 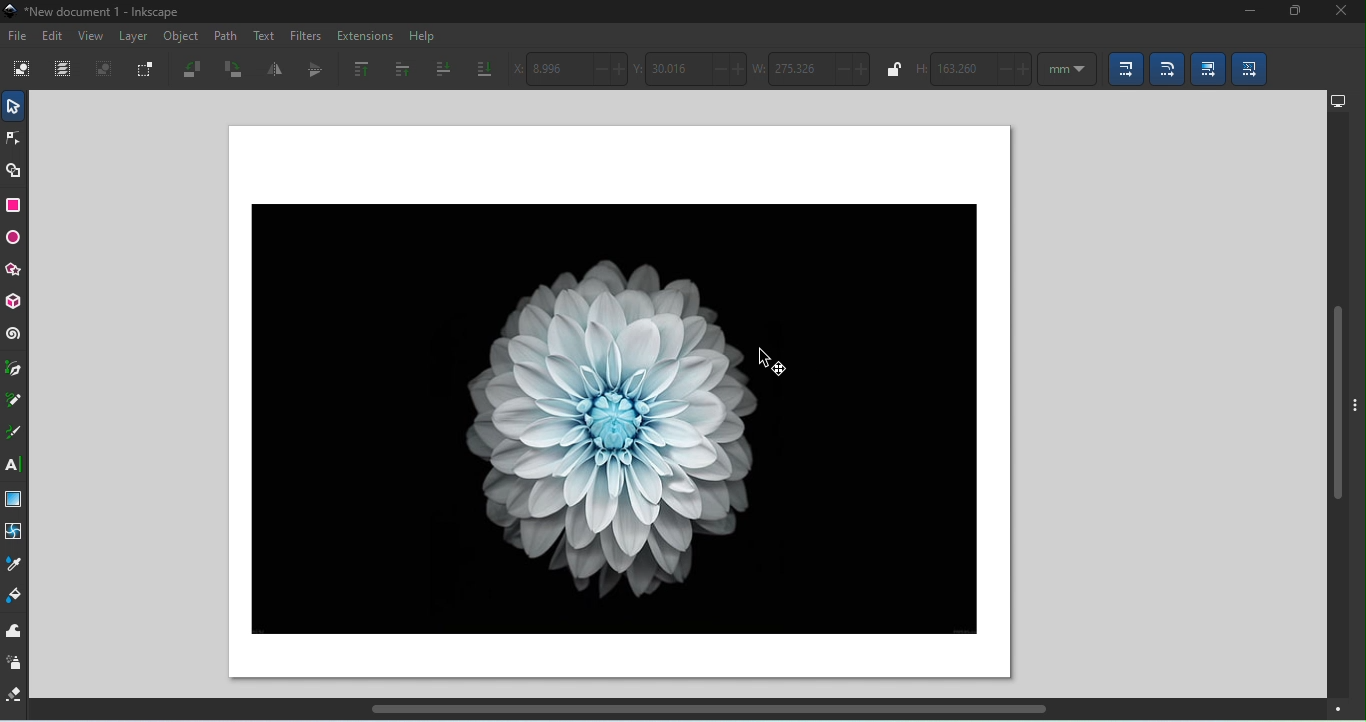 I want to click on Edit, so click(x=53, y=36).